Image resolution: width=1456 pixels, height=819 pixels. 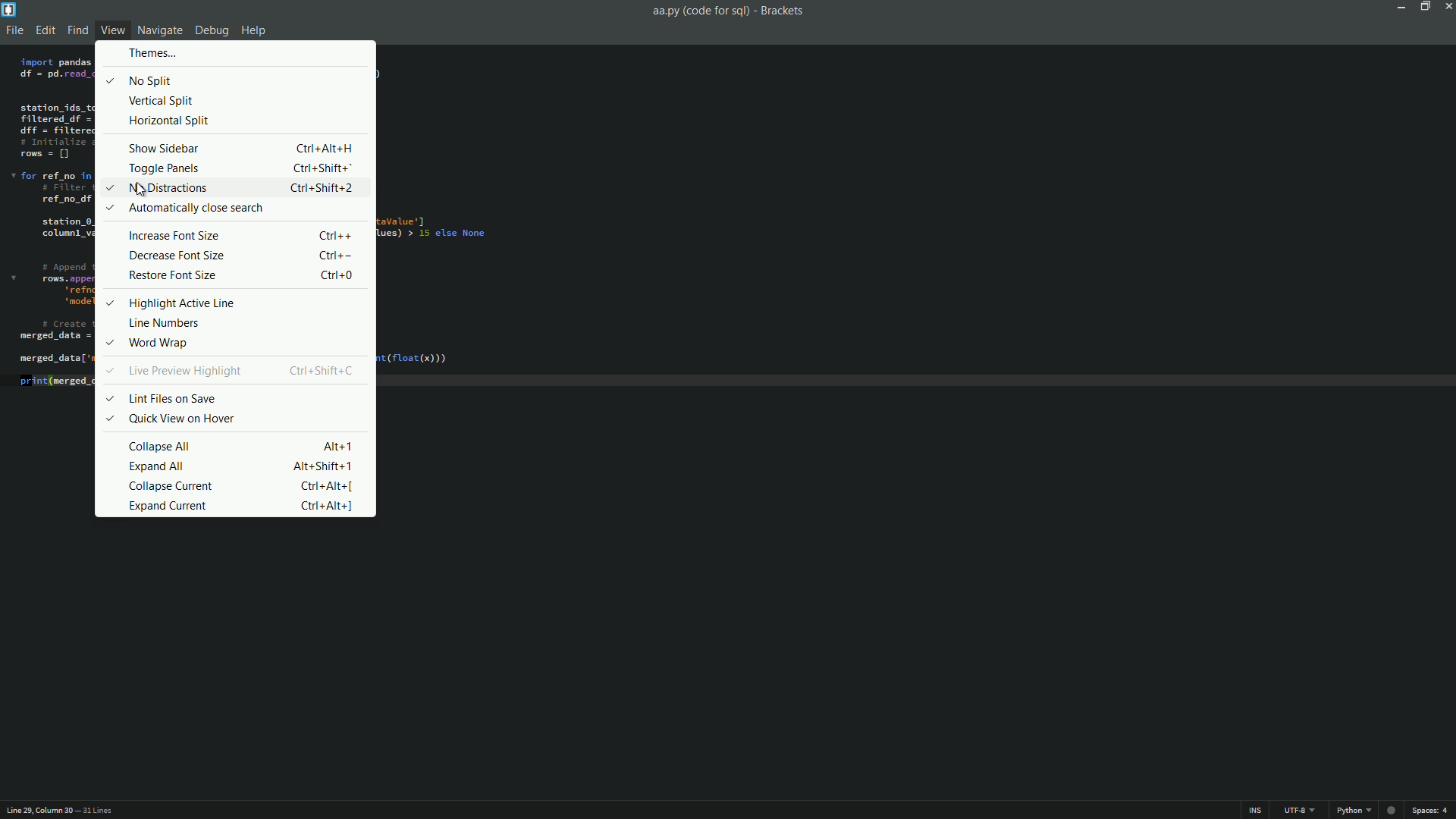 What do you see at coordinates (701, 12) in the screenshot?
I see `file name` at bounding box center [701, 12].